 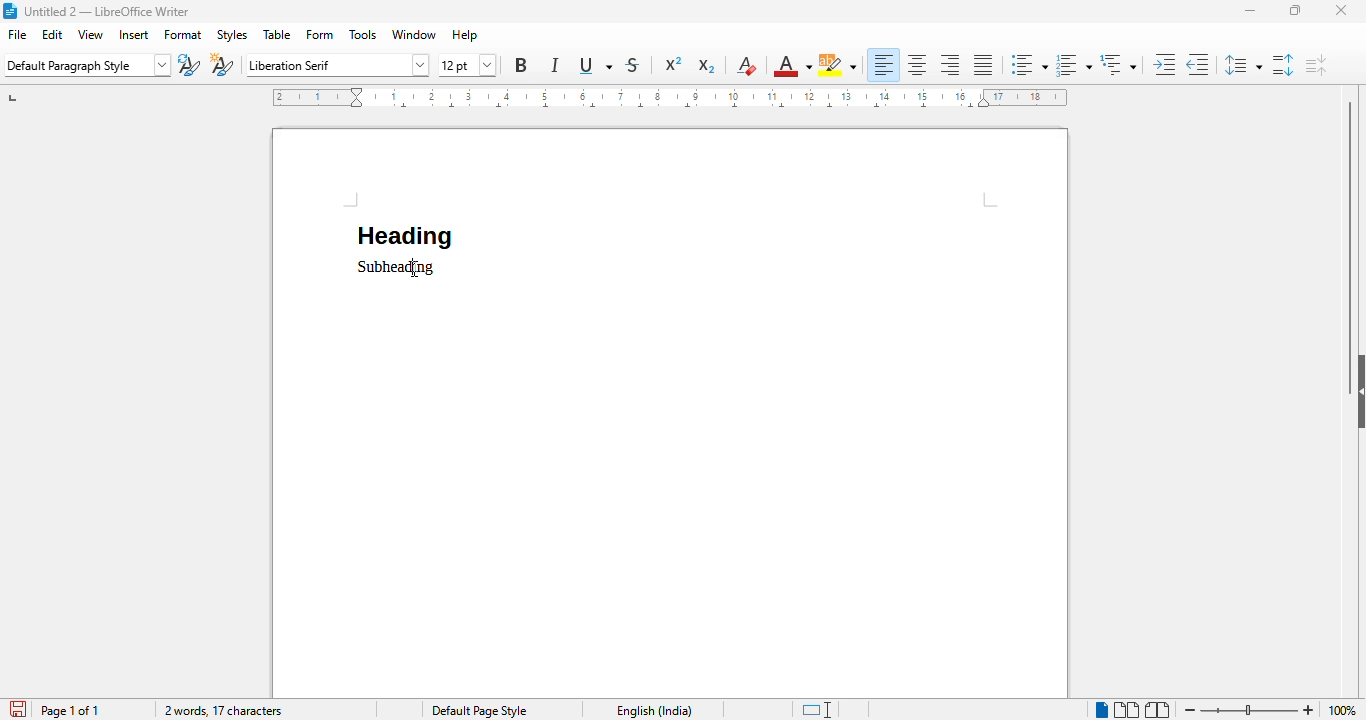 What do you see at coordinates (222, 65) in the screenshot?
I see `new style from selection` at bounding box center [222, 65].